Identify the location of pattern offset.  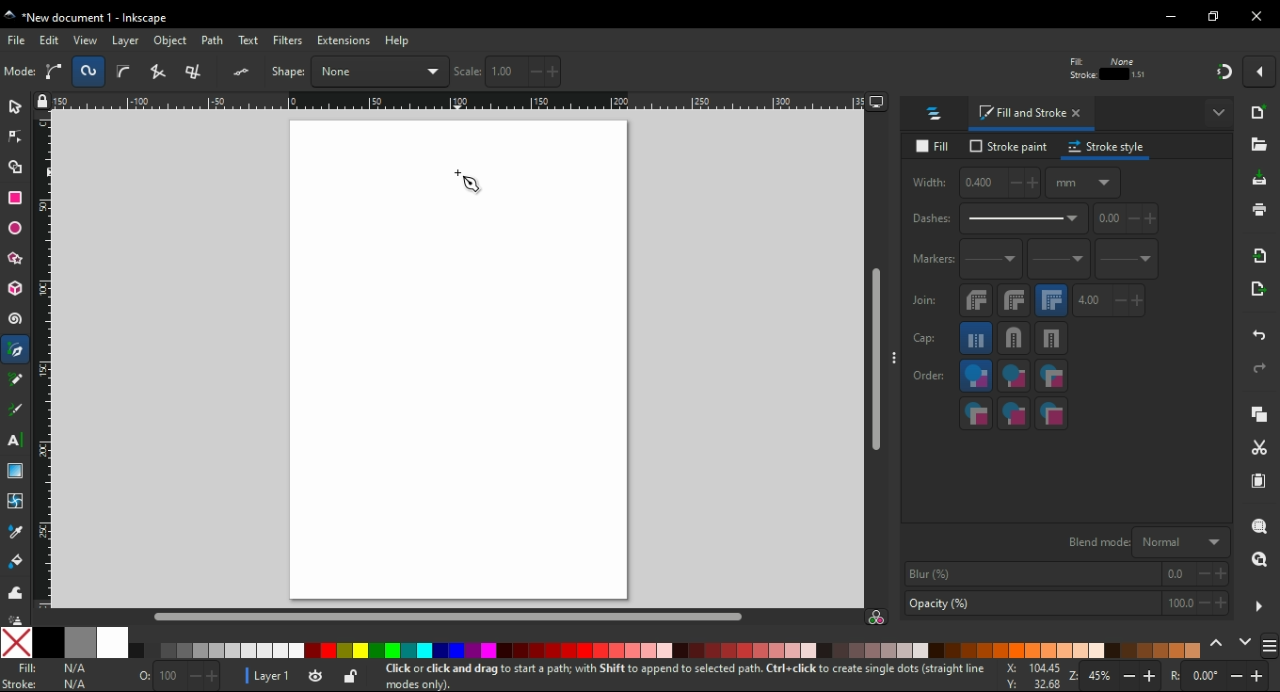
(1127, 219).